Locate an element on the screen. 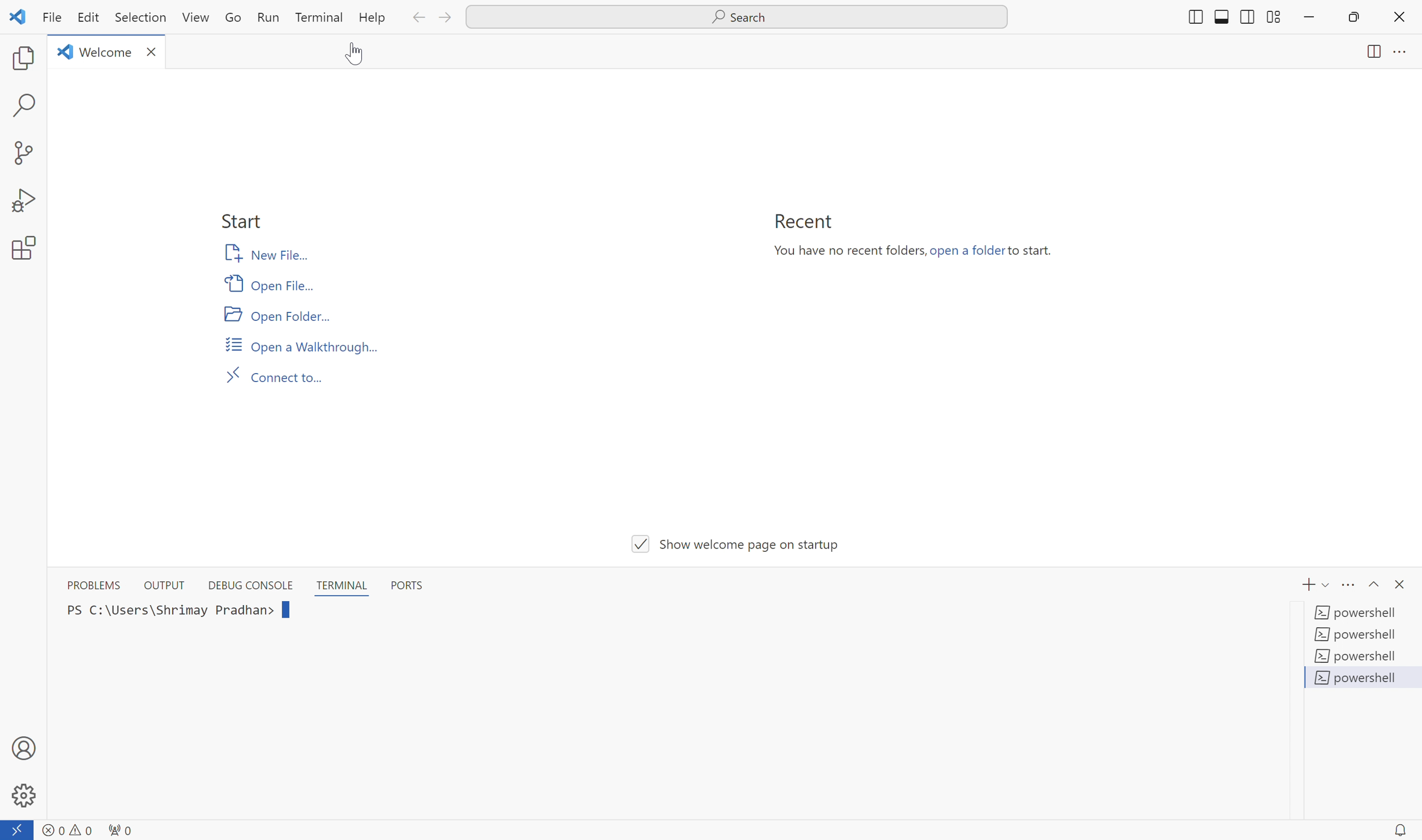 This screenshot has height=840, width=1422.  powershell is located at coordinates (1356, 678).